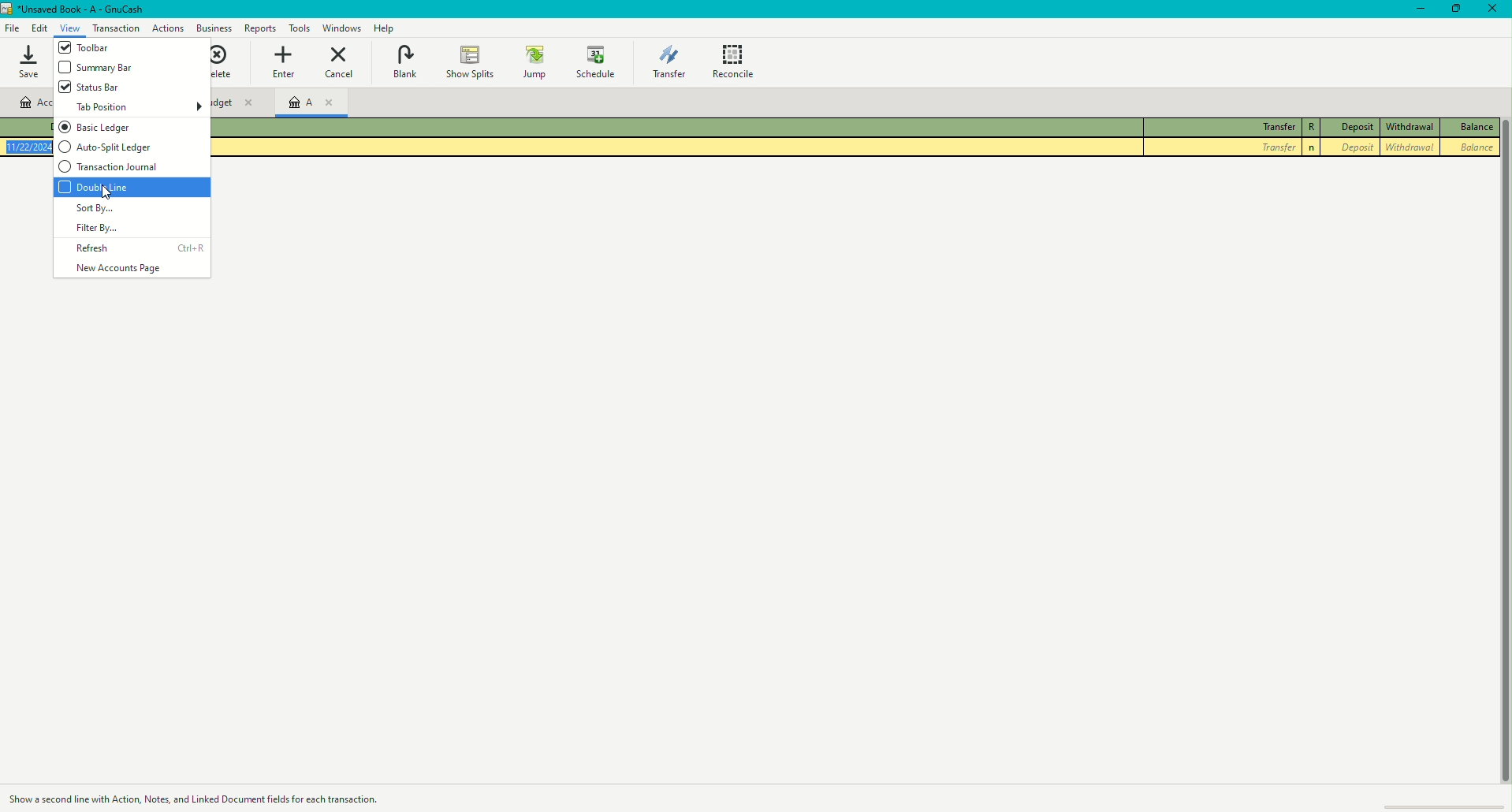 The image size is (1512, 812). I want to click on Transaction Journal, so click(128, 168).